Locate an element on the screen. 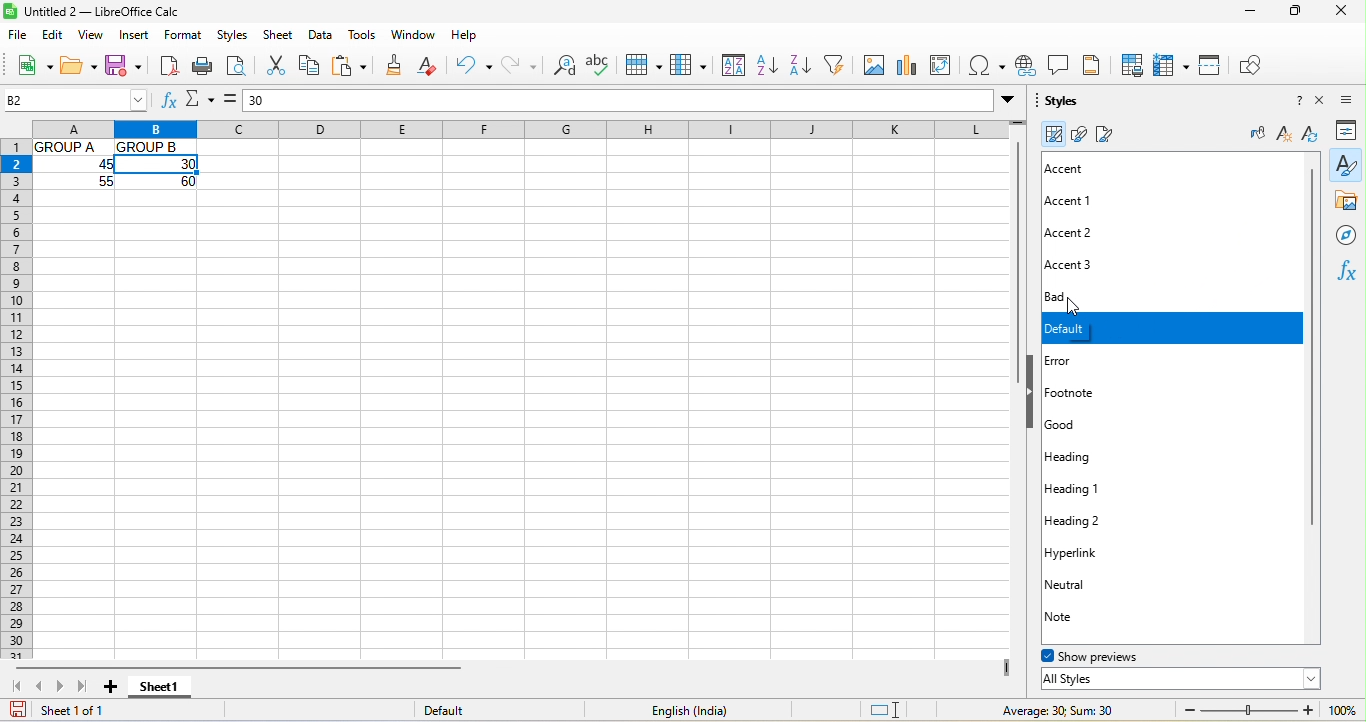  clear formatting is located at coordinates (436, 65).